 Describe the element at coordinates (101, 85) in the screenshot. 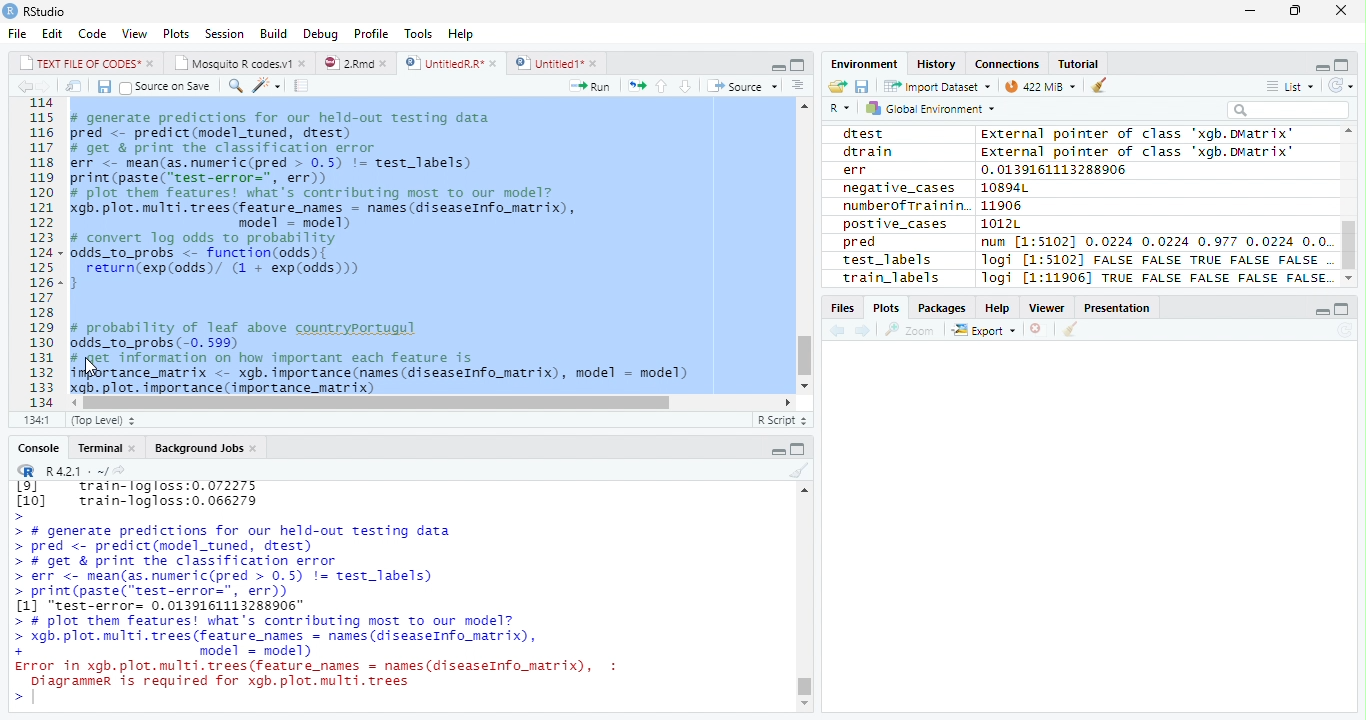

I see `Save` at that location.